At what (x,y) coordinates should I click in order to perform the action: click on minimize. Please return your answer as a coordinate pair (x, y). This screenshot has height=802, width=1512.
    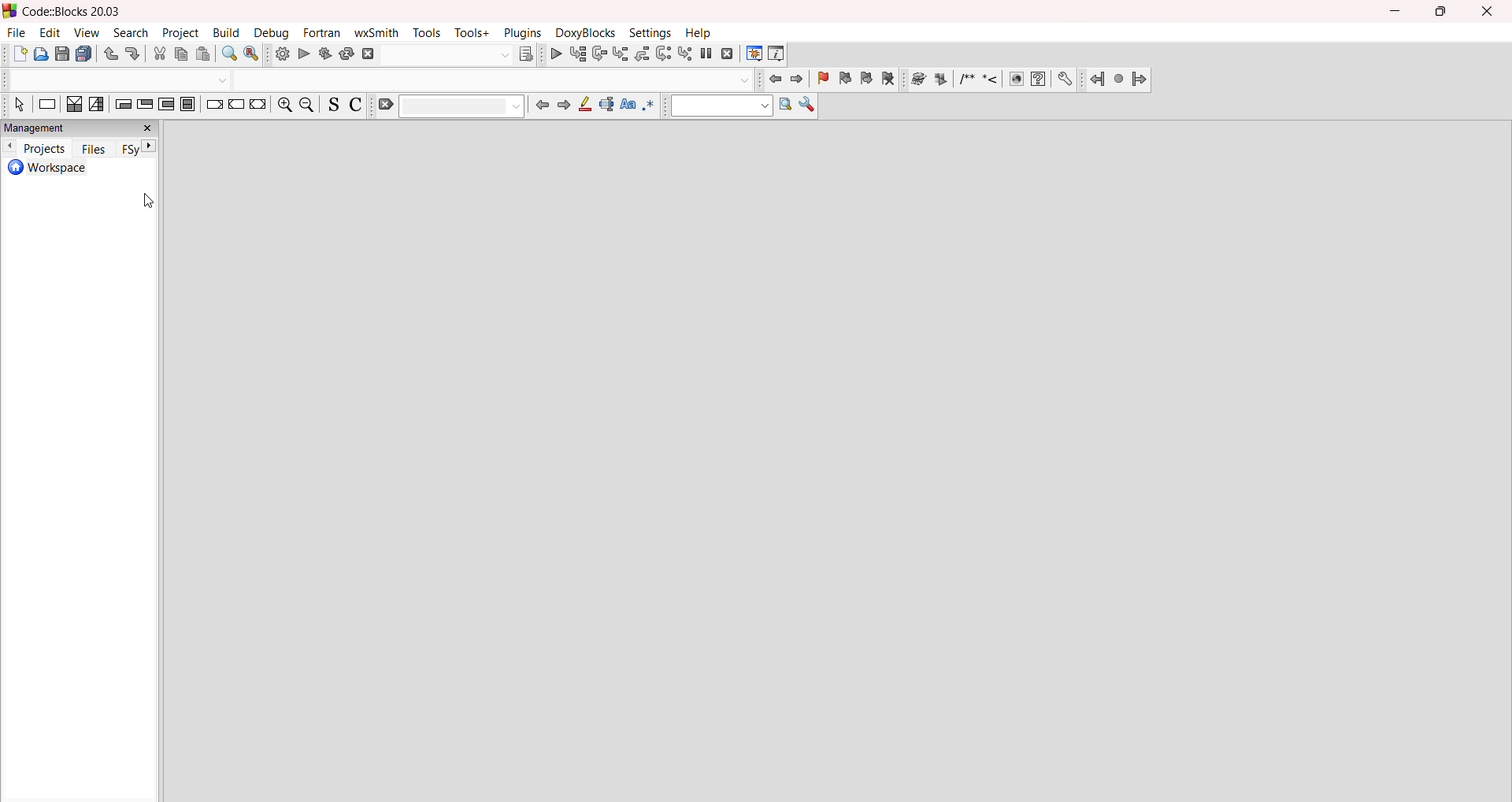
    Looking at the image, I should click on (1397, 9).